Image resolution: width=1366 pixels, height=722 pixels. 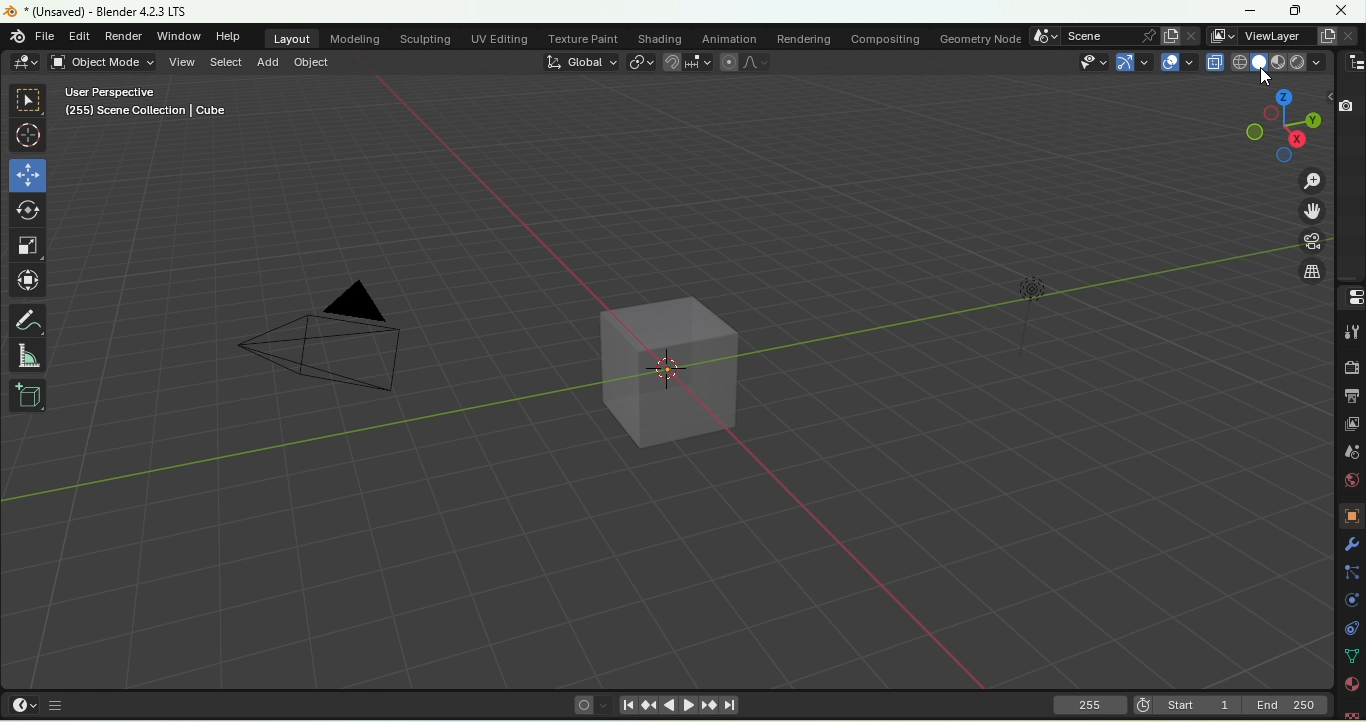 What do you see at coordinates (1311, 179) in the screenshot?
I see `Zoom in/out in the view` at bounding box center [1311, 179].